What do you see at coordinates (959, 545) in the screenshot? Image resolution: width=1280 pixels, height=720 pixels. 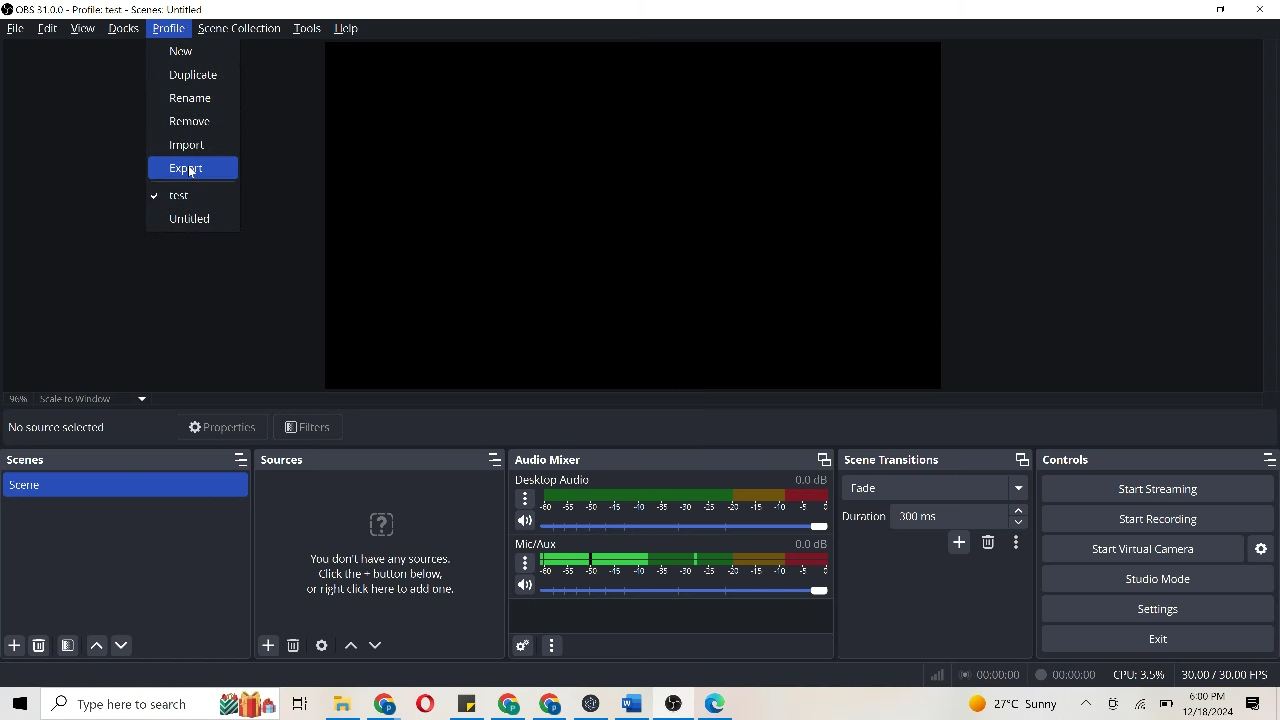 I see `add configuration transition` at bounding box center [959, 545].